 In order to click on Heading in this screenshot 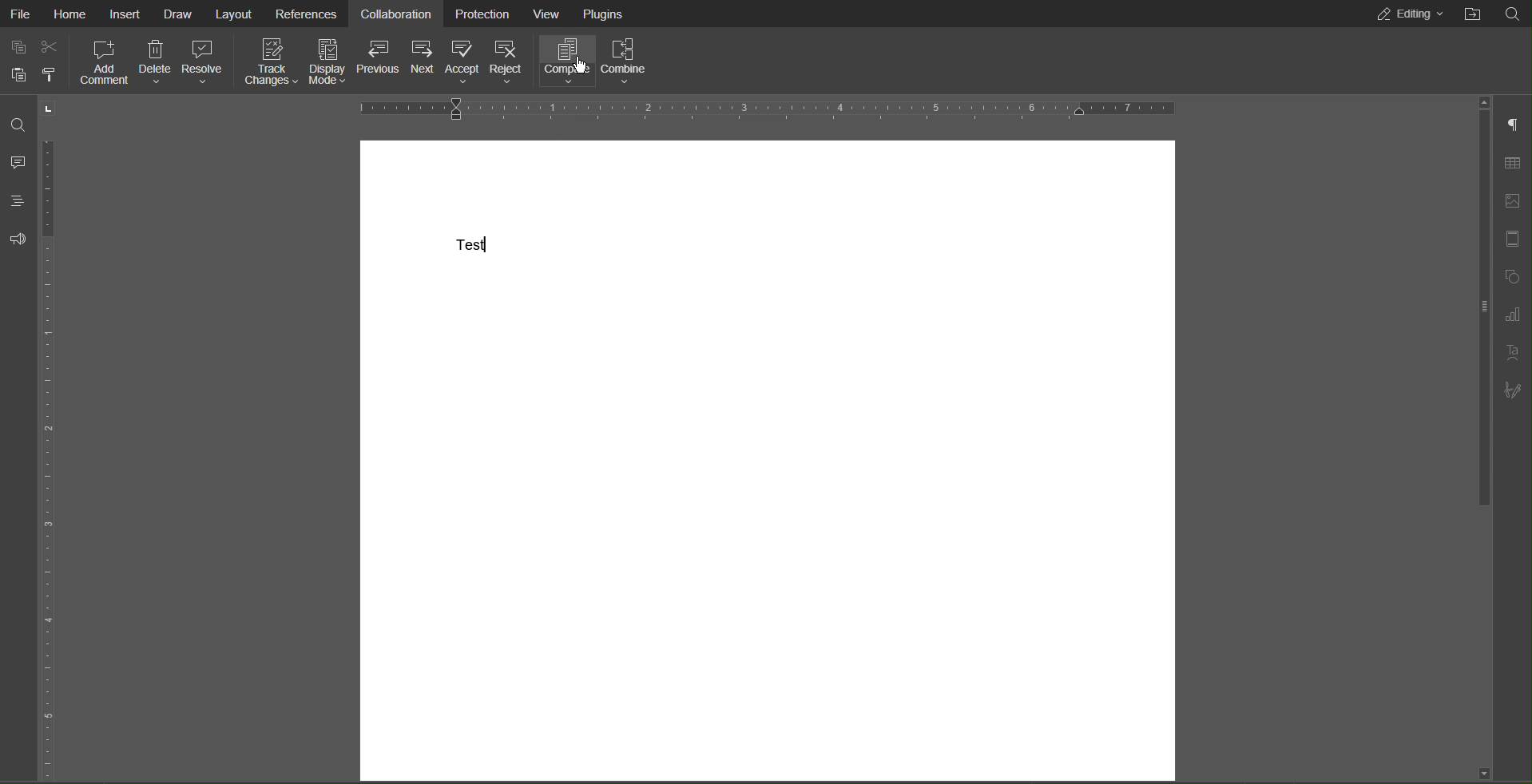, I will do `click(16, 201)`.